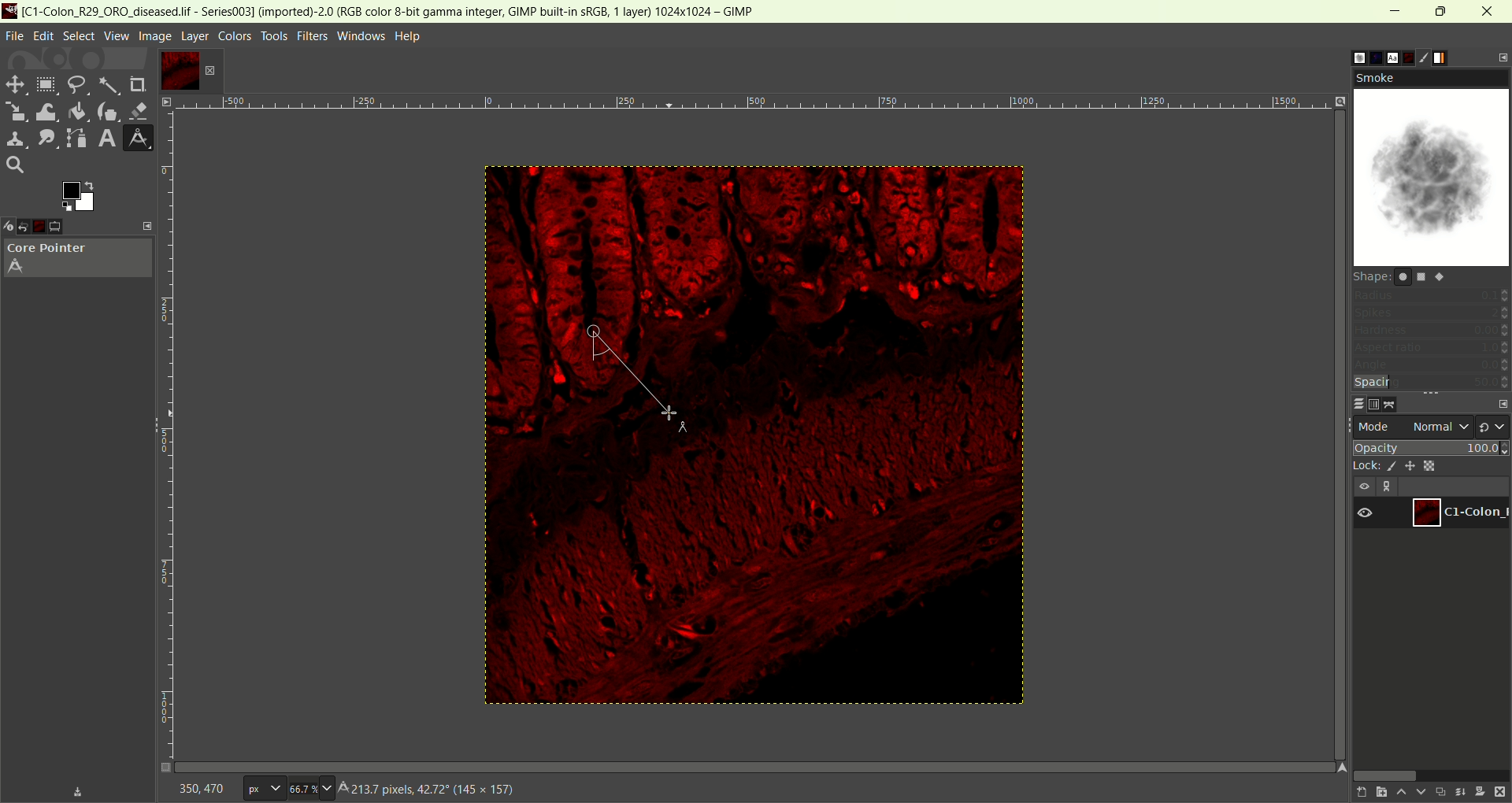 This screenshot has height=803, width=1512. What do you see at coordinates (1363, 487) in the screenshot?
I see `visibility` at bounding box center [1363, 487].